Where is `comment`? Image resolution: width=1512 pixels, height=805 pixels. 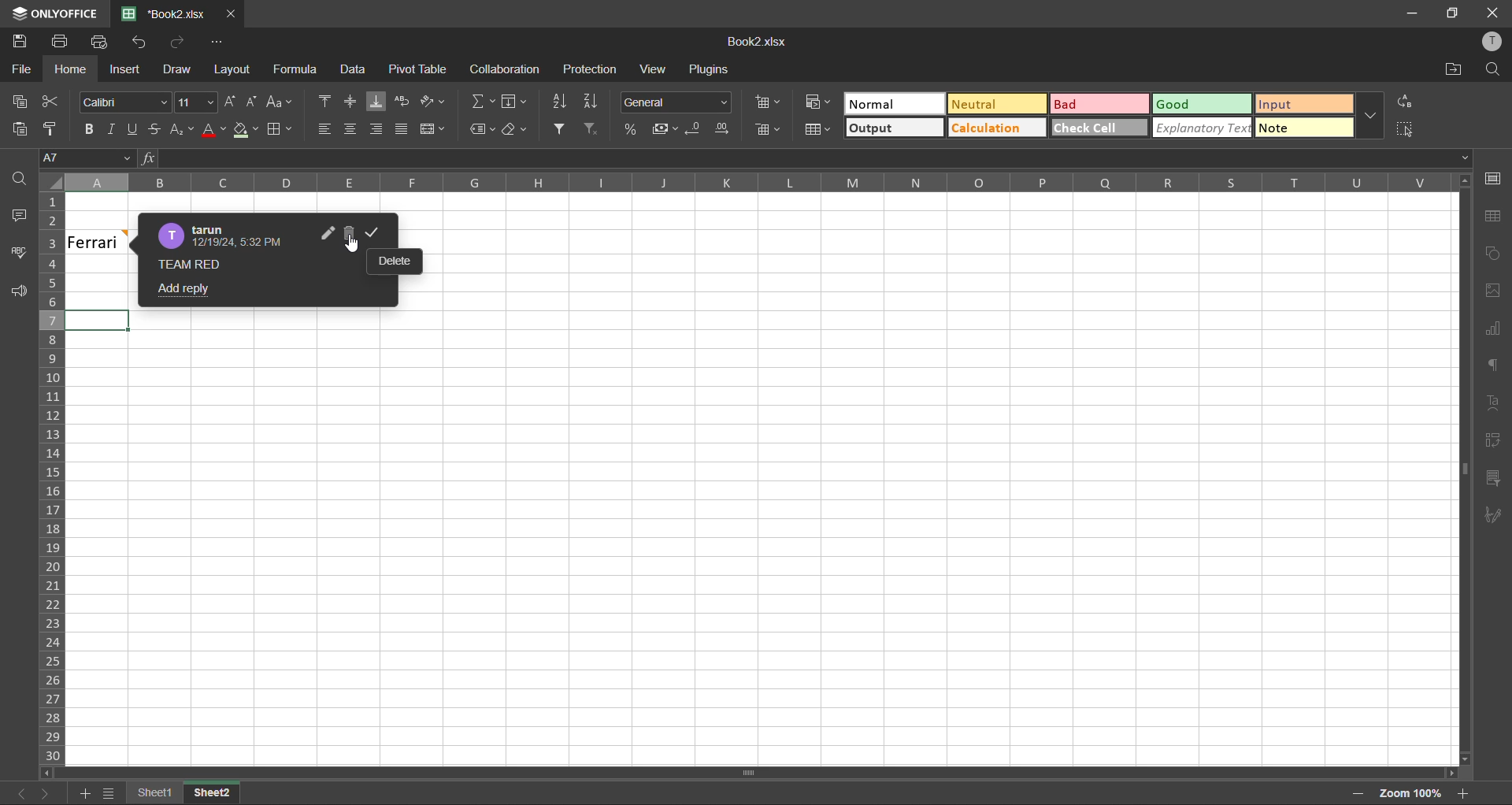
comment is located at coordinates (203, 267).